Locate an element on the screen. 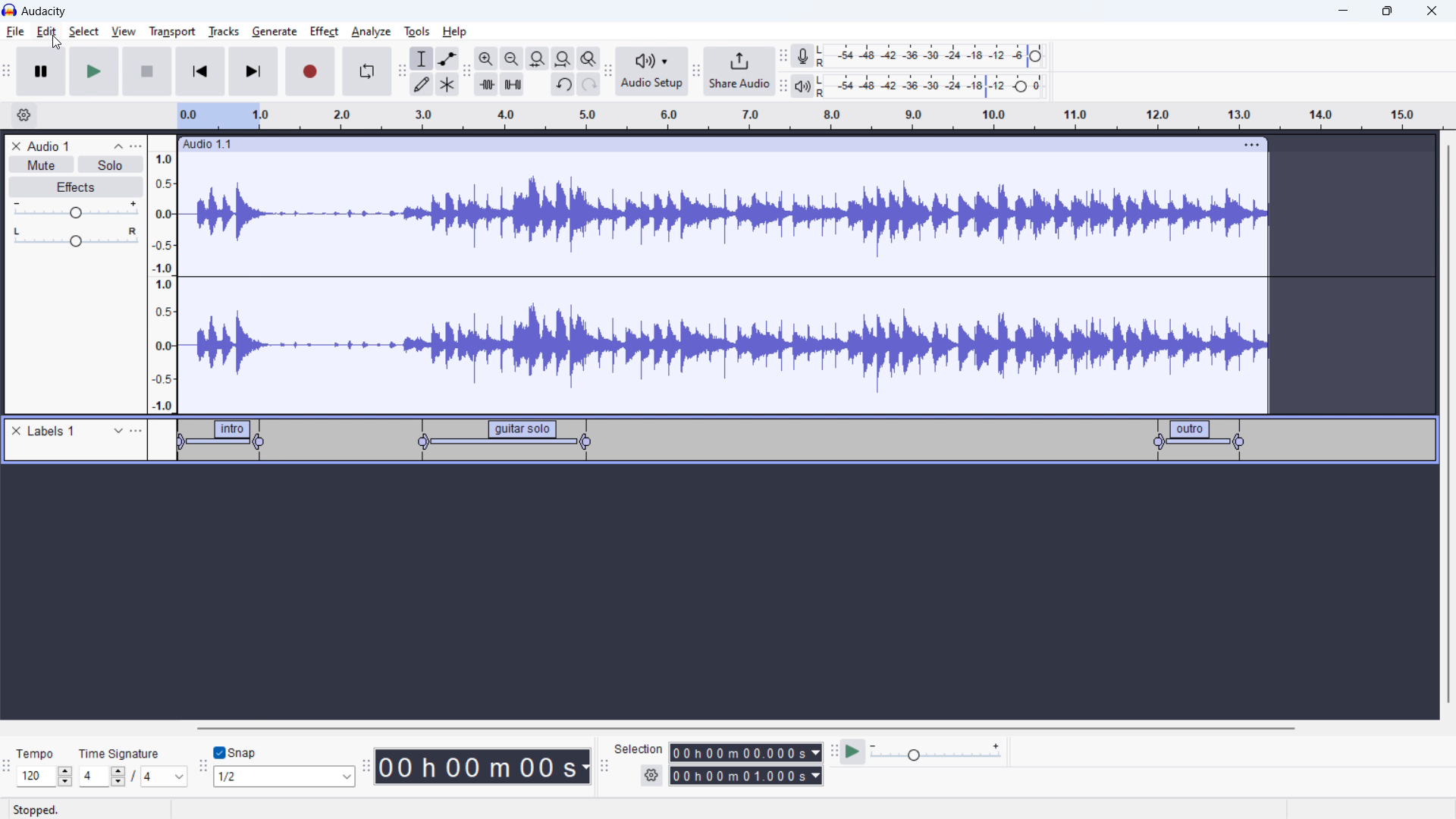 The width and height of the screenshot is (1456, 819). selection is located at coordinates (639, 749).